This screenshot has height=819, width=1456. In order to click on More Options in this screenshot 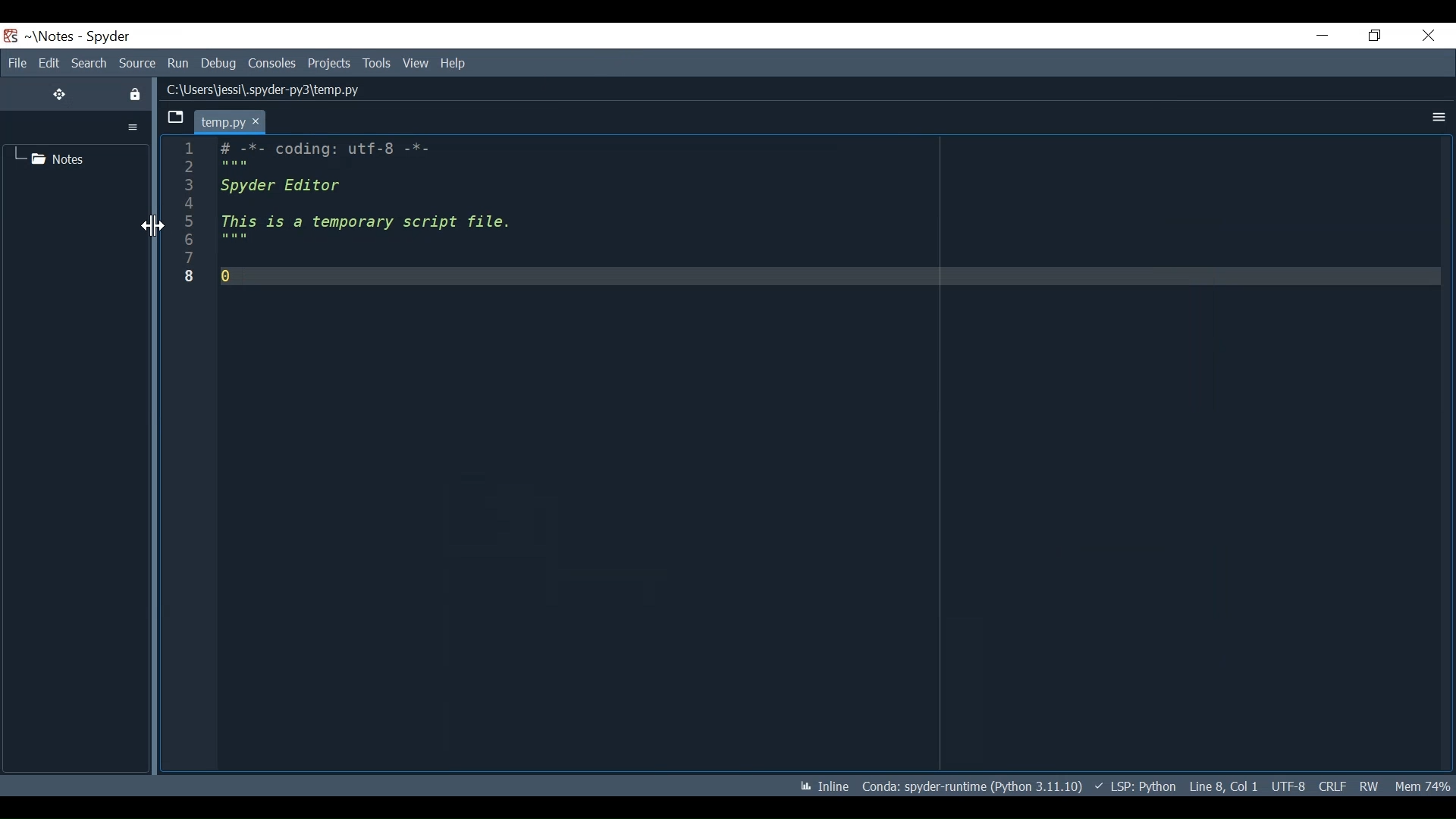, I will do `click(131, 127)`.